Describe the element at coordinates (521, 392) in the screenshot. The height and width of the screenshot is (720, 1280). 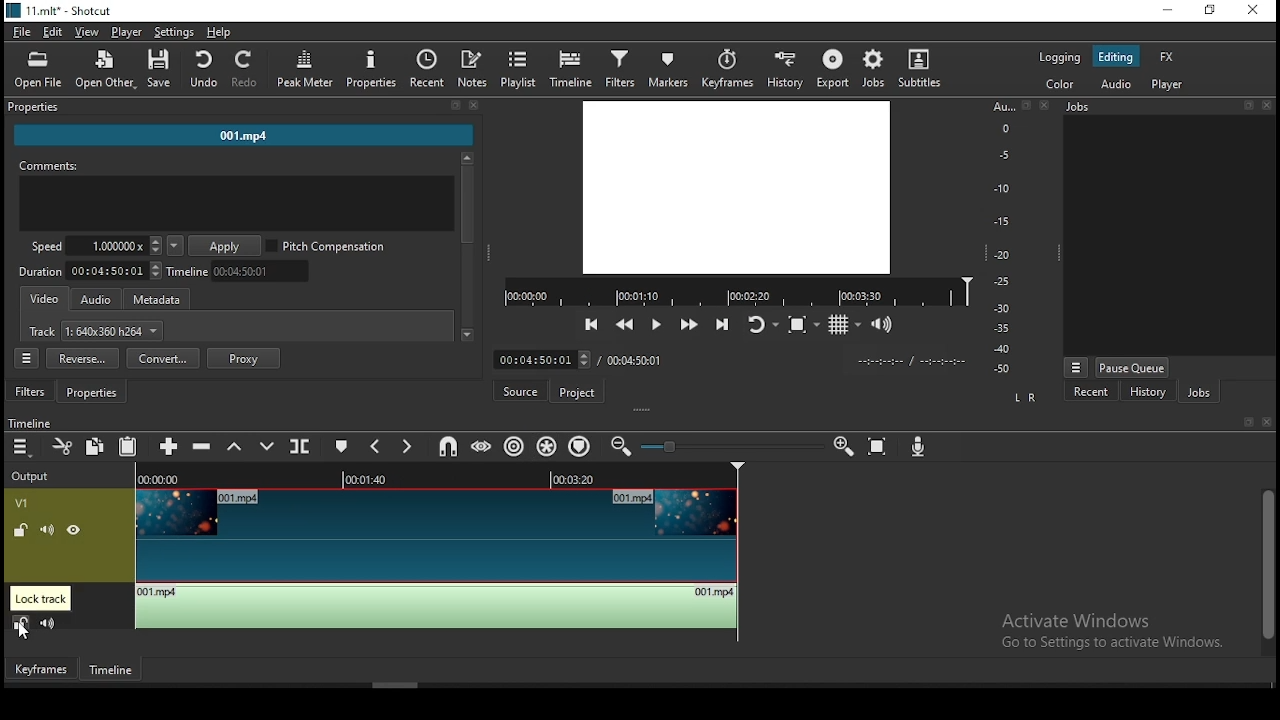
I see `source` at that location.